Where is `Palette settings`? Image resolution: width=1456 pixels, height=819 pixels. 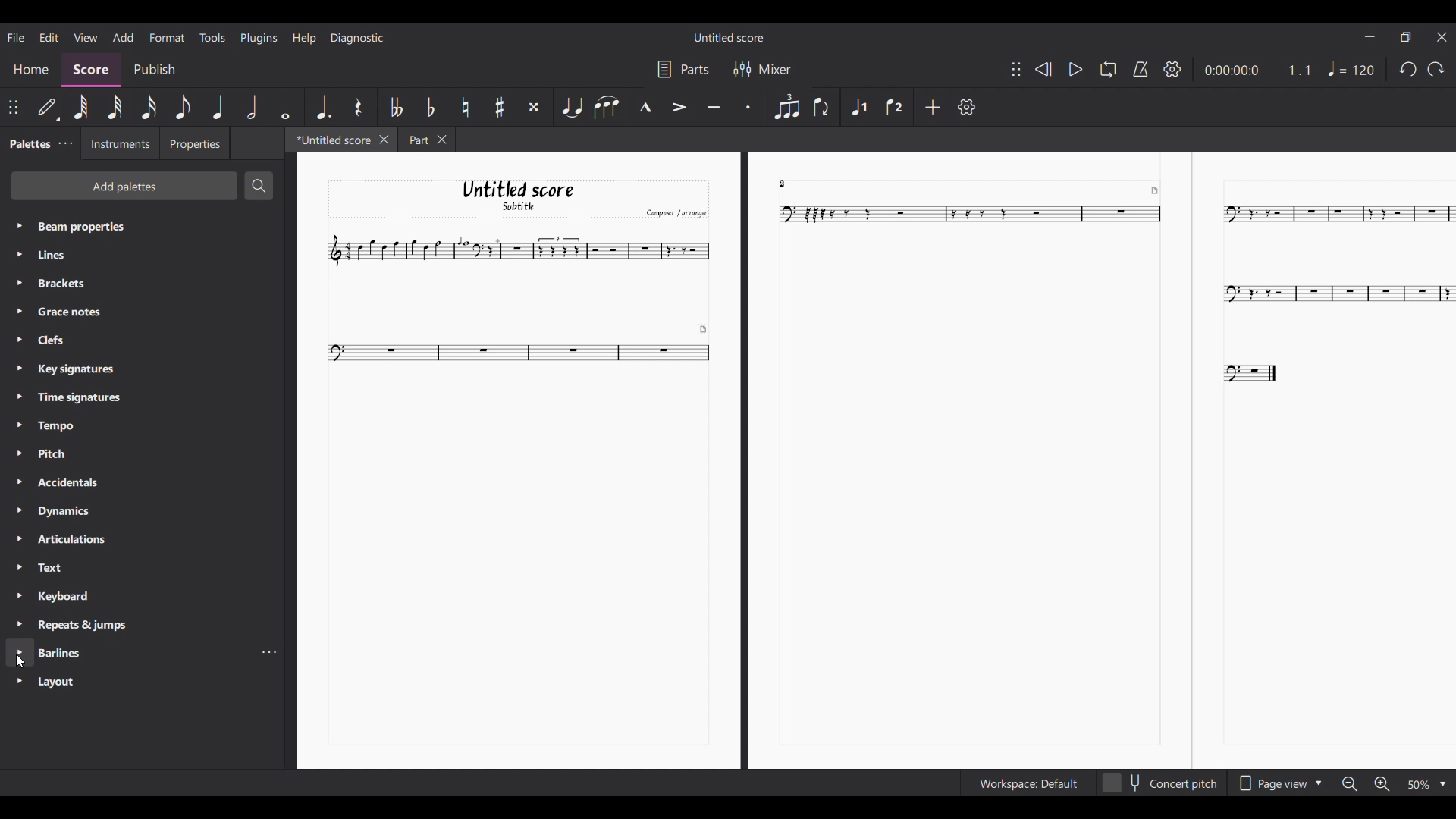 Palette settings is located at coordinates (88, 229).